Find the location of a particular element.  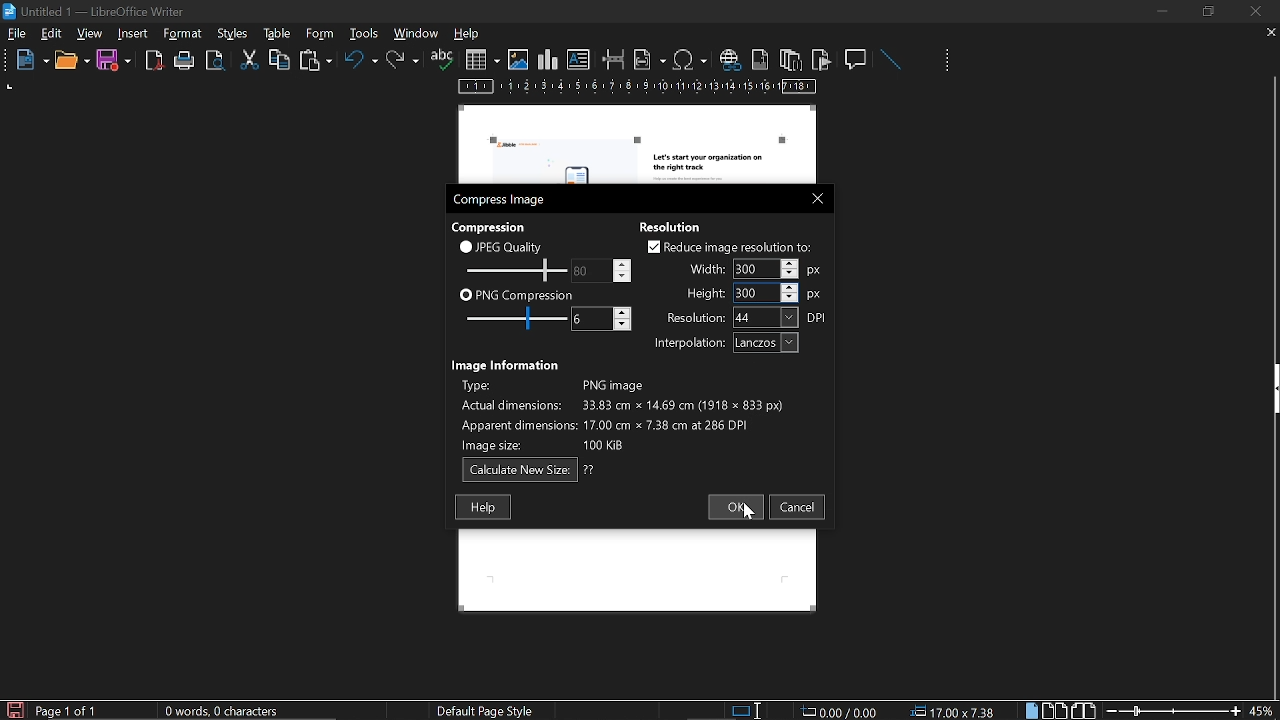

insert is located at coordinates (134, 34).